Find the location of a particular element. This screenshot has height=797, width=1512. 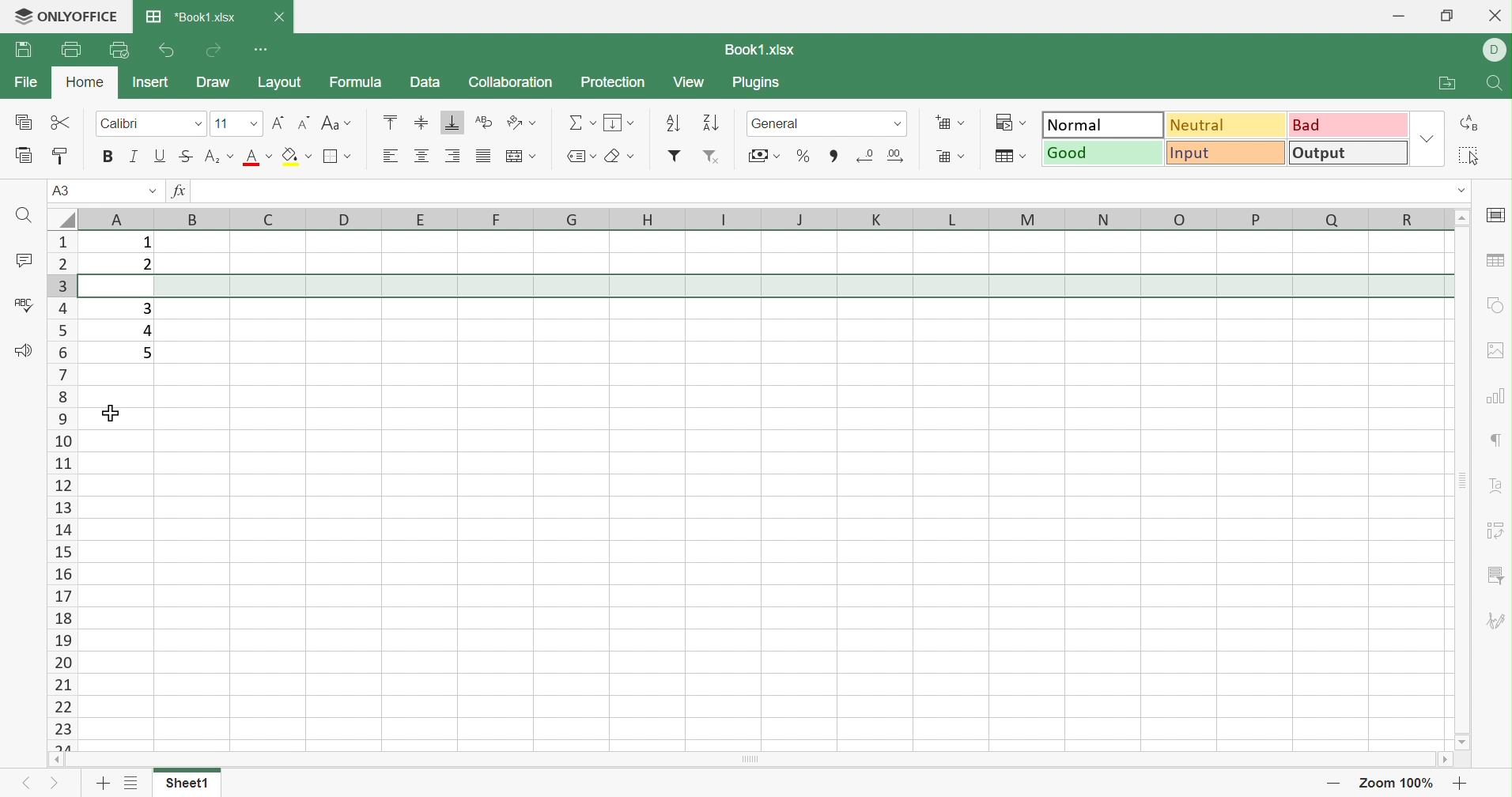

Align Center is located at coordinates (424, 155).